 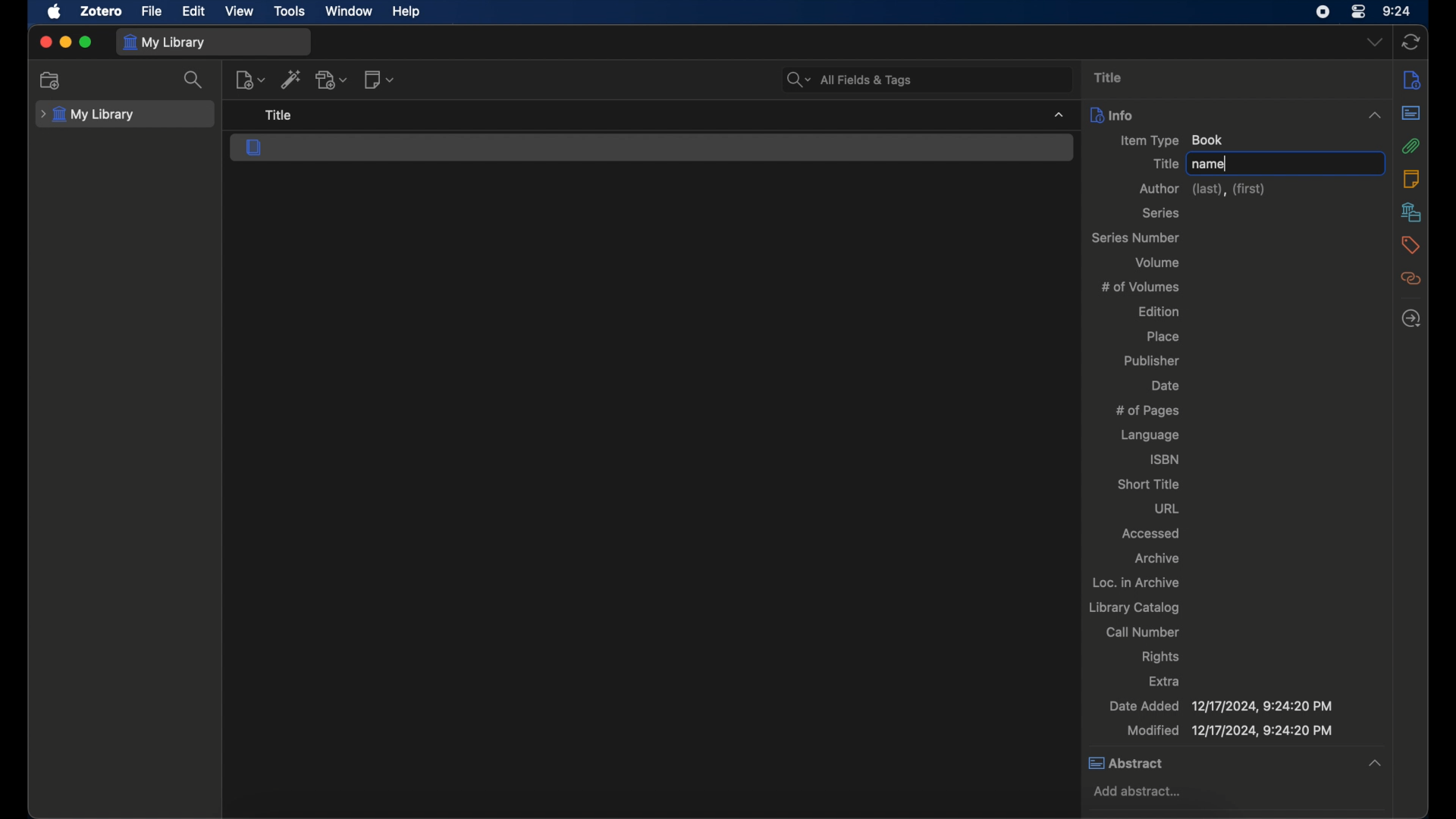 What do you see at coordinates (1161, 212) in the screenshot?
I see `series` at bounding box center [1161, 212].